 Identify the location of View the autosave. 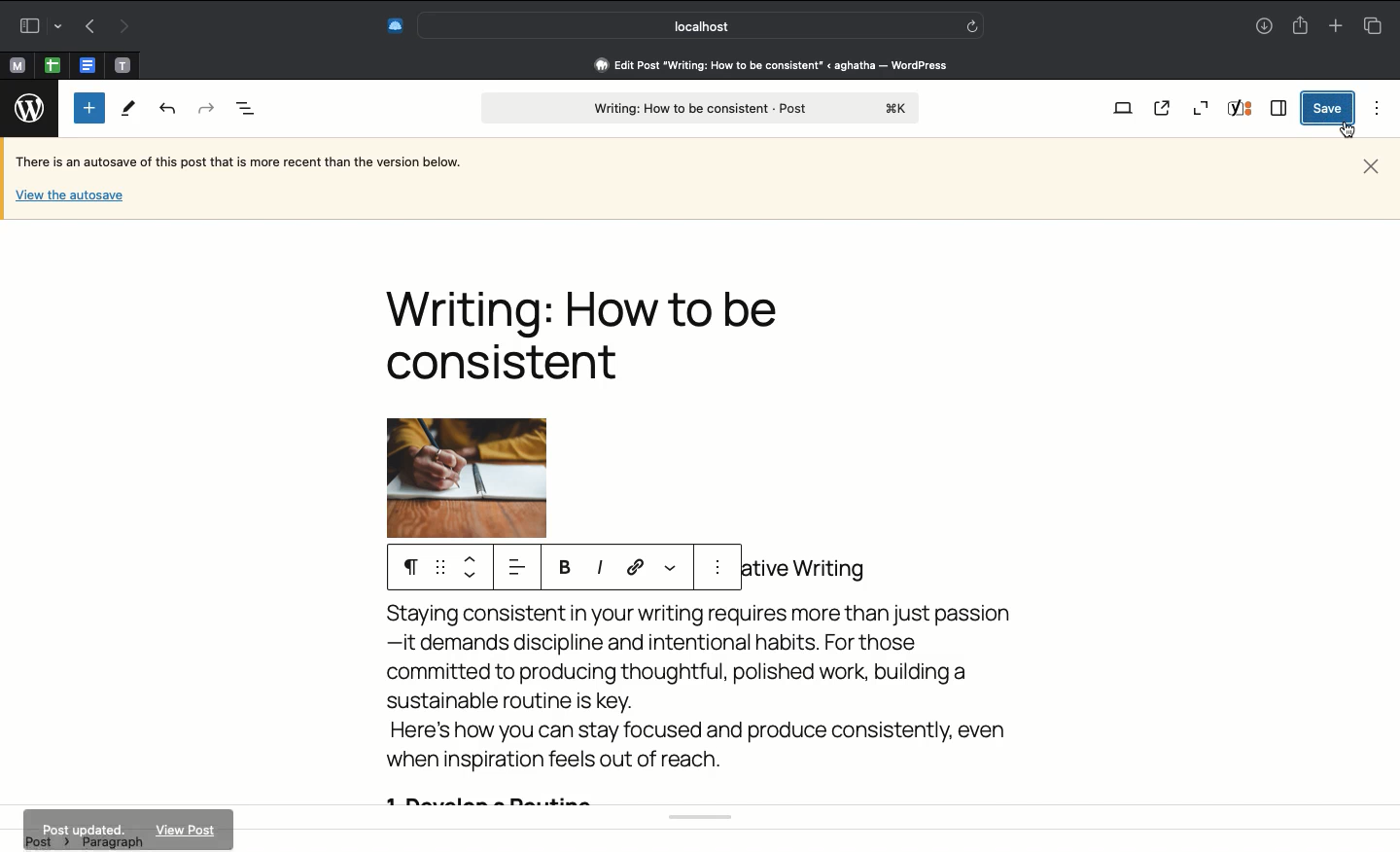
(69, 194).